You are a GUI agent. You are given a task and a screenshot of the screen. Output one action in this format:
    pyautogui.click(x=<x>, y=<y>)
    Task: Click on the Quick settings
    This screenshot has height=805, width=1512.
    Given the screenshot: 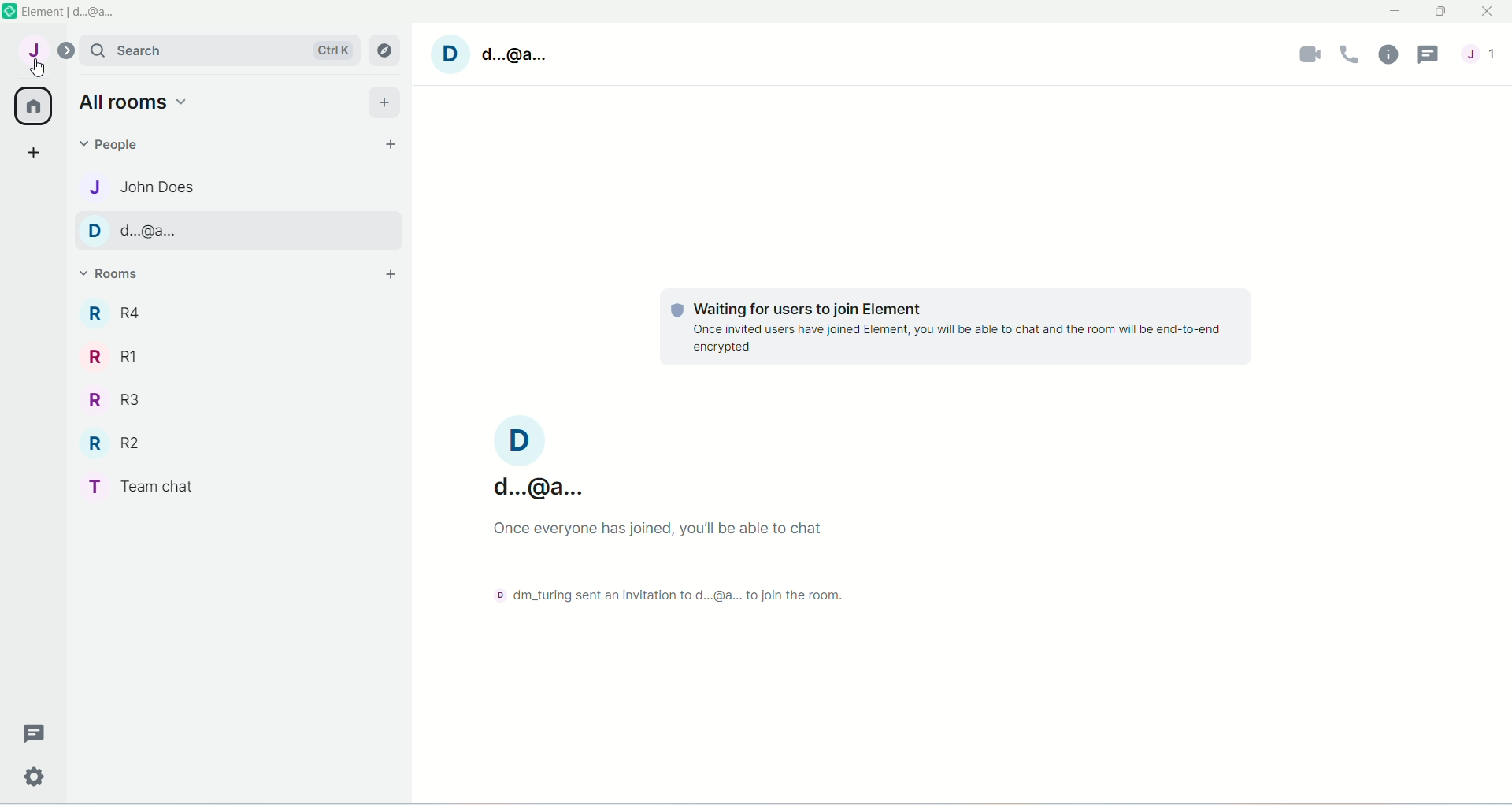 What is the action you would take?
    pyautogui.click(x=35, y=775)
    